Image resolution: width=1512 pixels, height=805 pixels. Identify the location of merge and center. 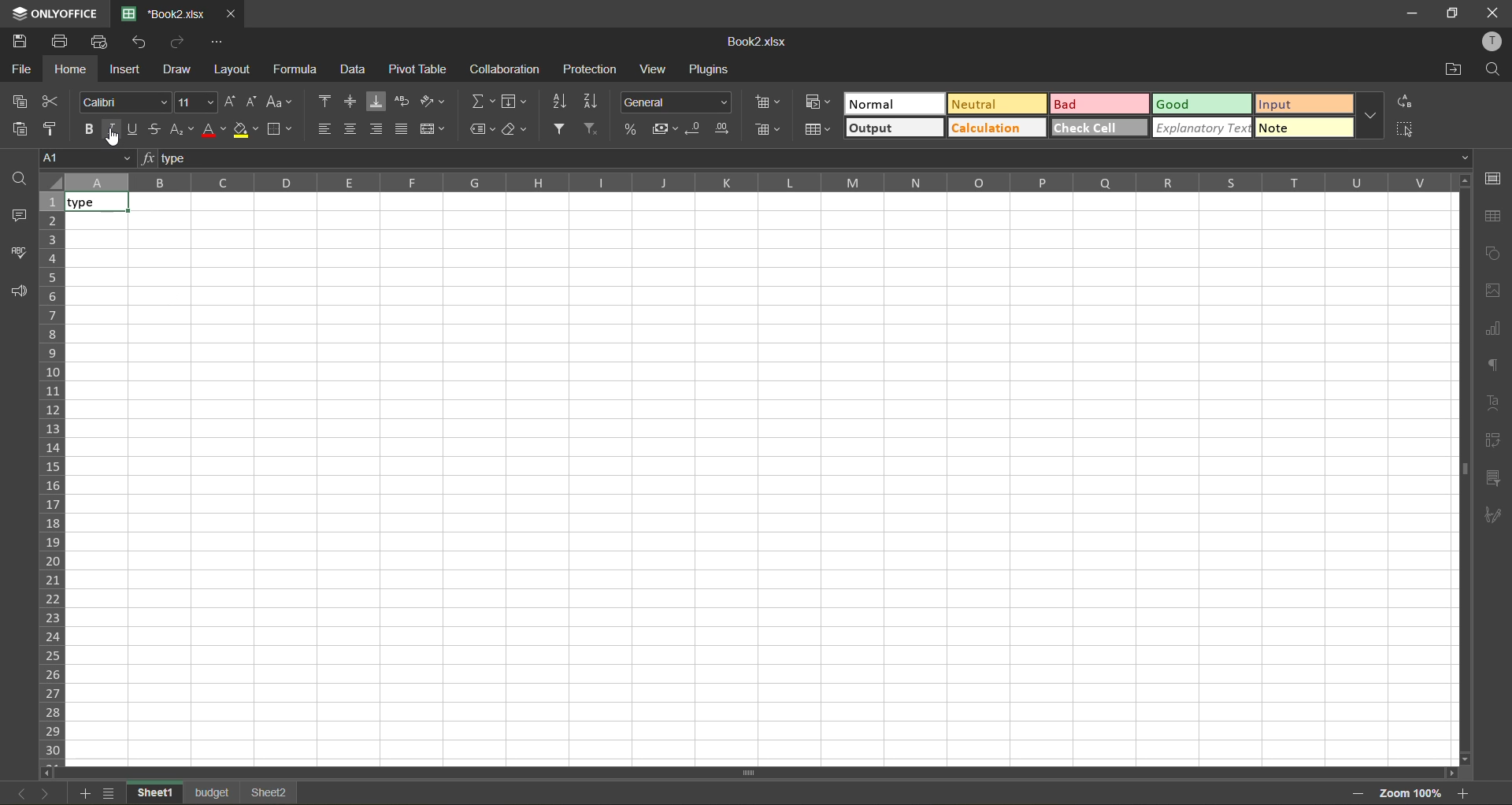
(429, 130).